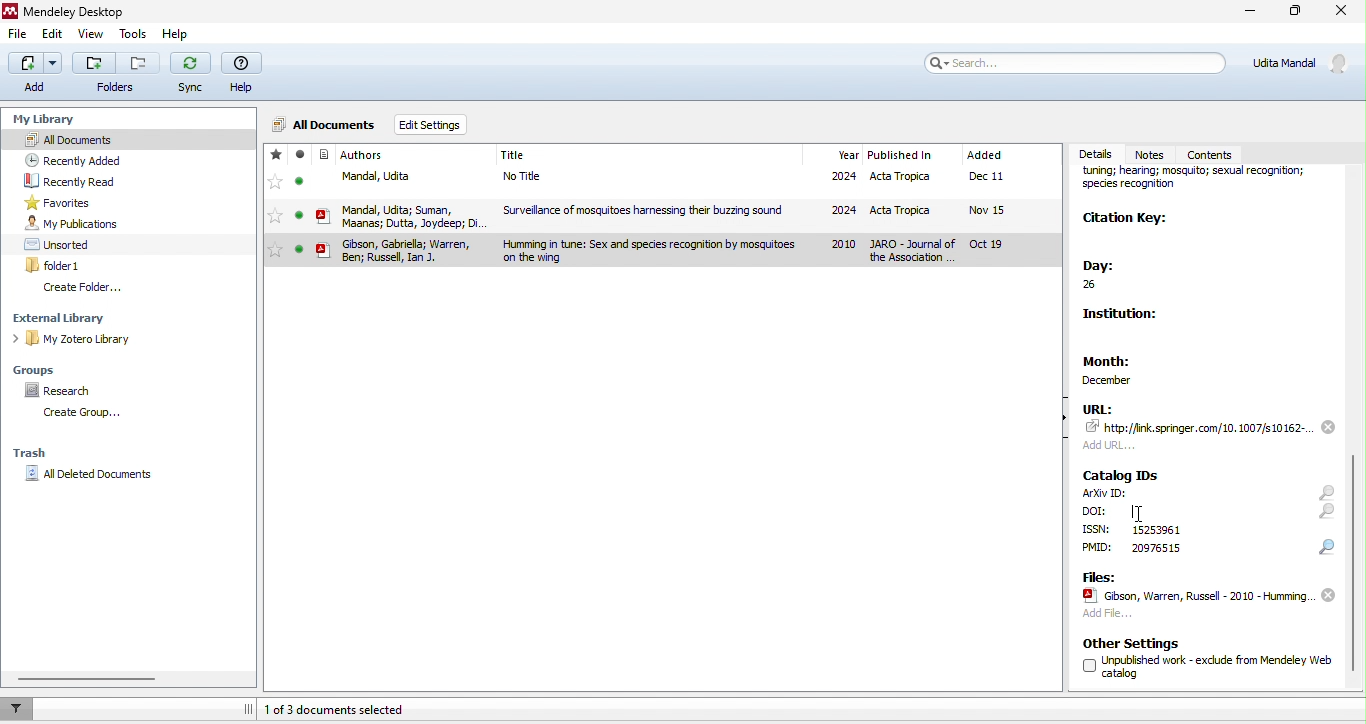 Image resolution: width=1366 pixels, height=724 pixels. What do you see at coordinates (1133, 643) in the screenshot?
I see `other settings` at bounding box center [1133, 643].